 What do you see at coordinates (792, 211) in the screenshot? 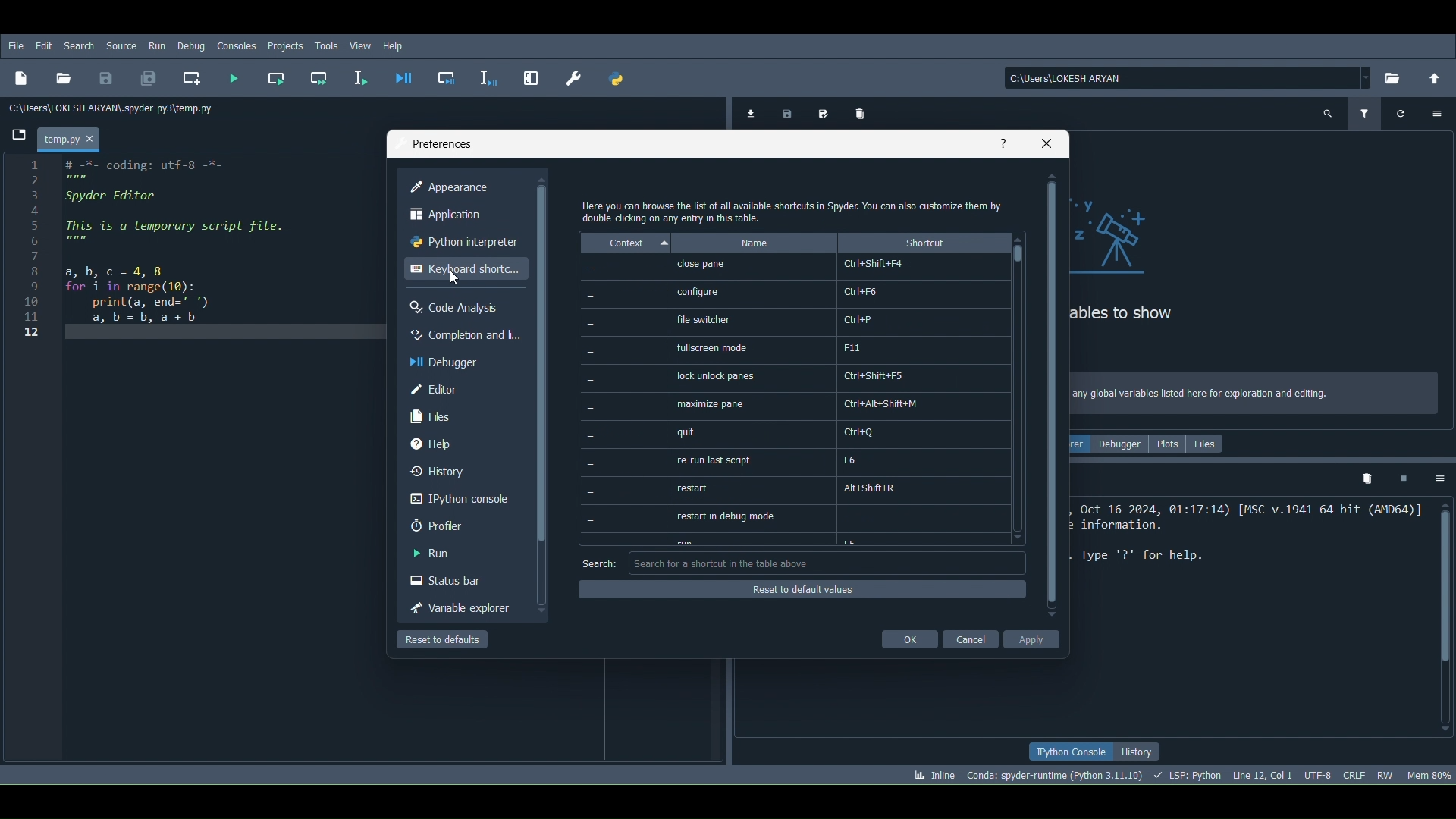
I see `Text` at bounding box center [792, 211].